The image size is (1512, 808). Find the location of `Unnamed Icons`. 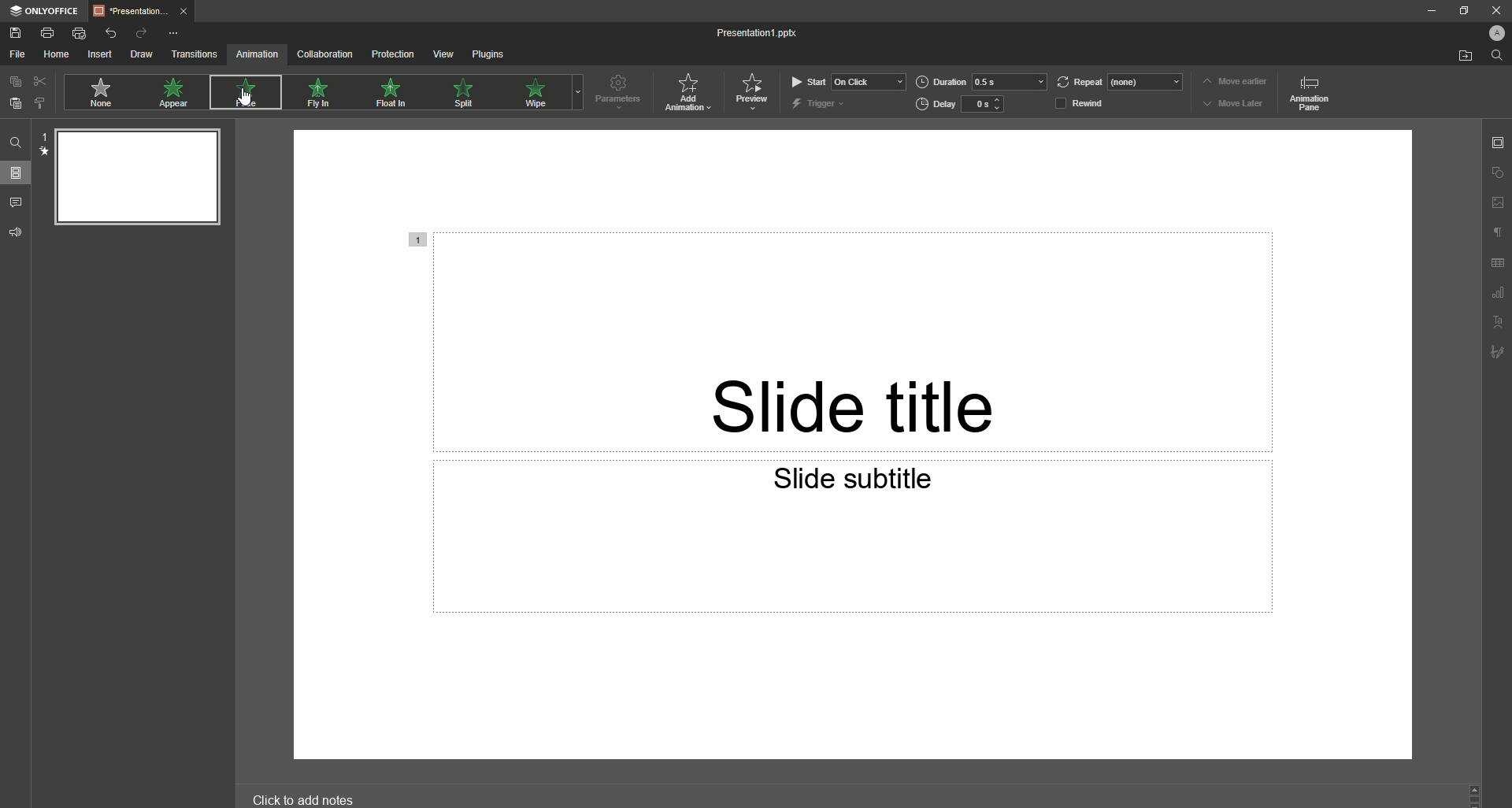

Unnamed Icons is located at coordinates (1498, 263).